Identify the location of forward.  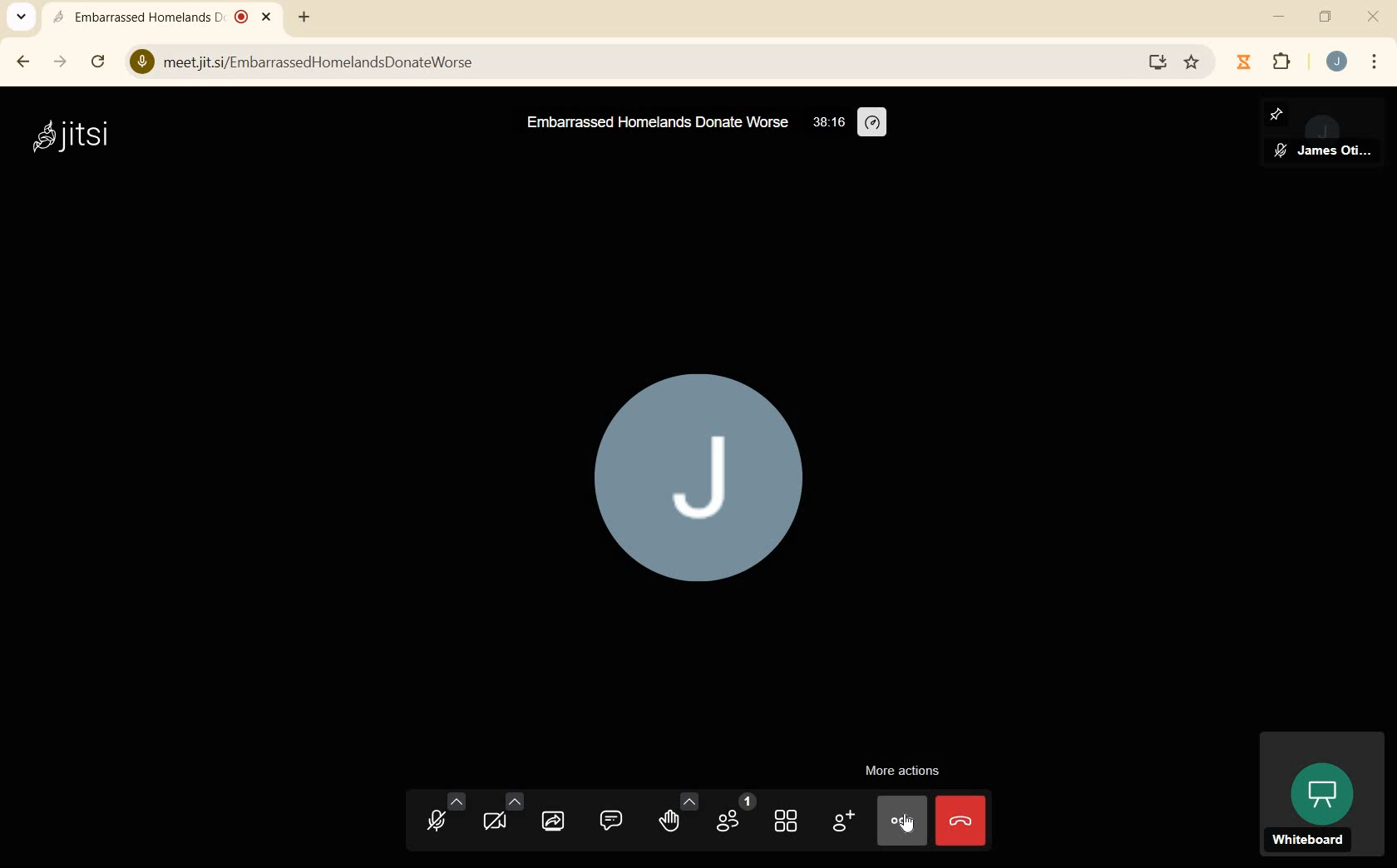
(60, 62).